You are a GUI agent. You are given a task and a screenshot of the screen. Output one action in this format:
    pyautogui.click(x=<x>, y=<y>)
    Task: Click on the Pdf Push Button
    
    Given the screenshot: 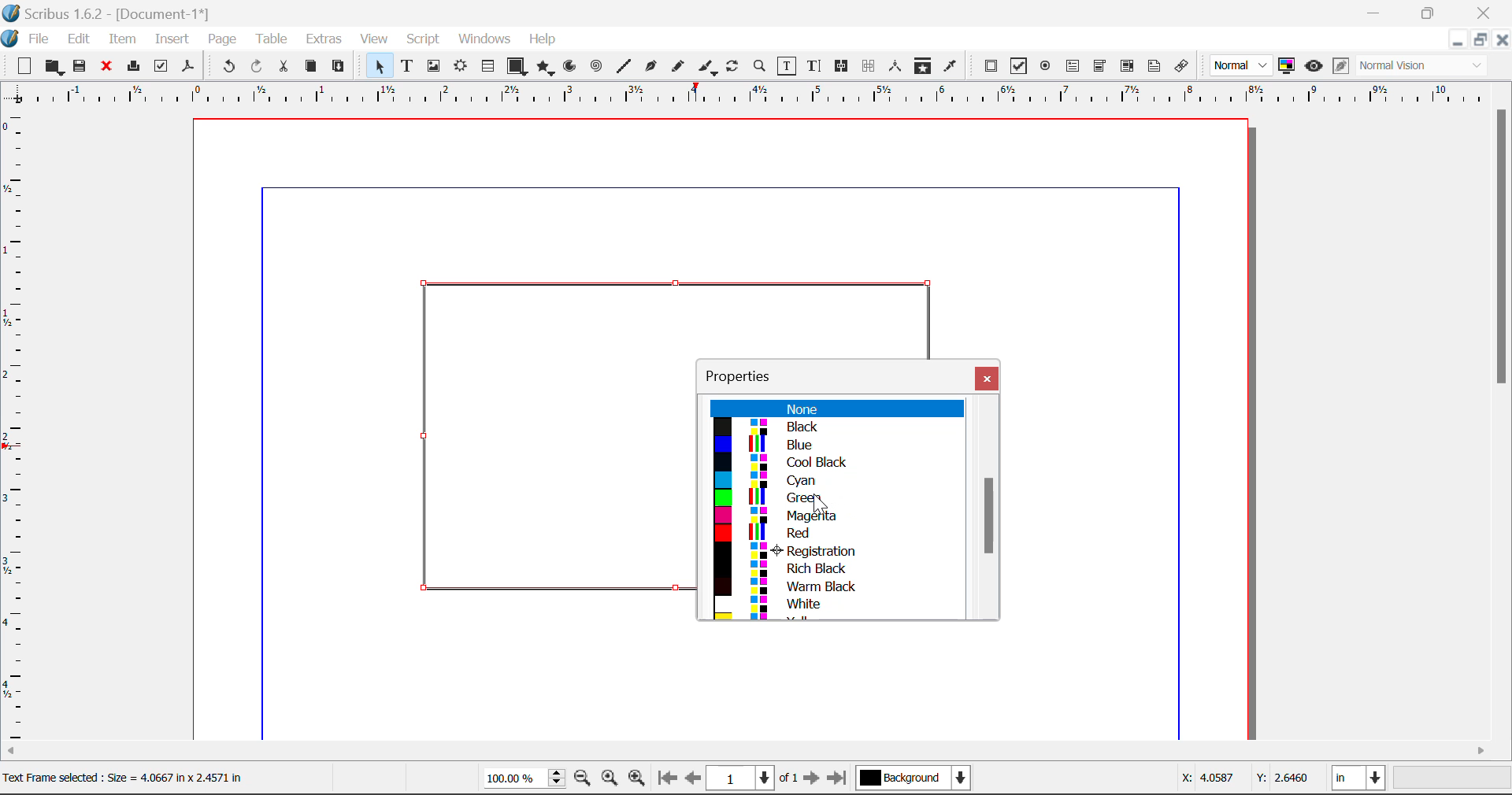 What is the action you would take?
    pyautogui.click(x=991, y=65)
    